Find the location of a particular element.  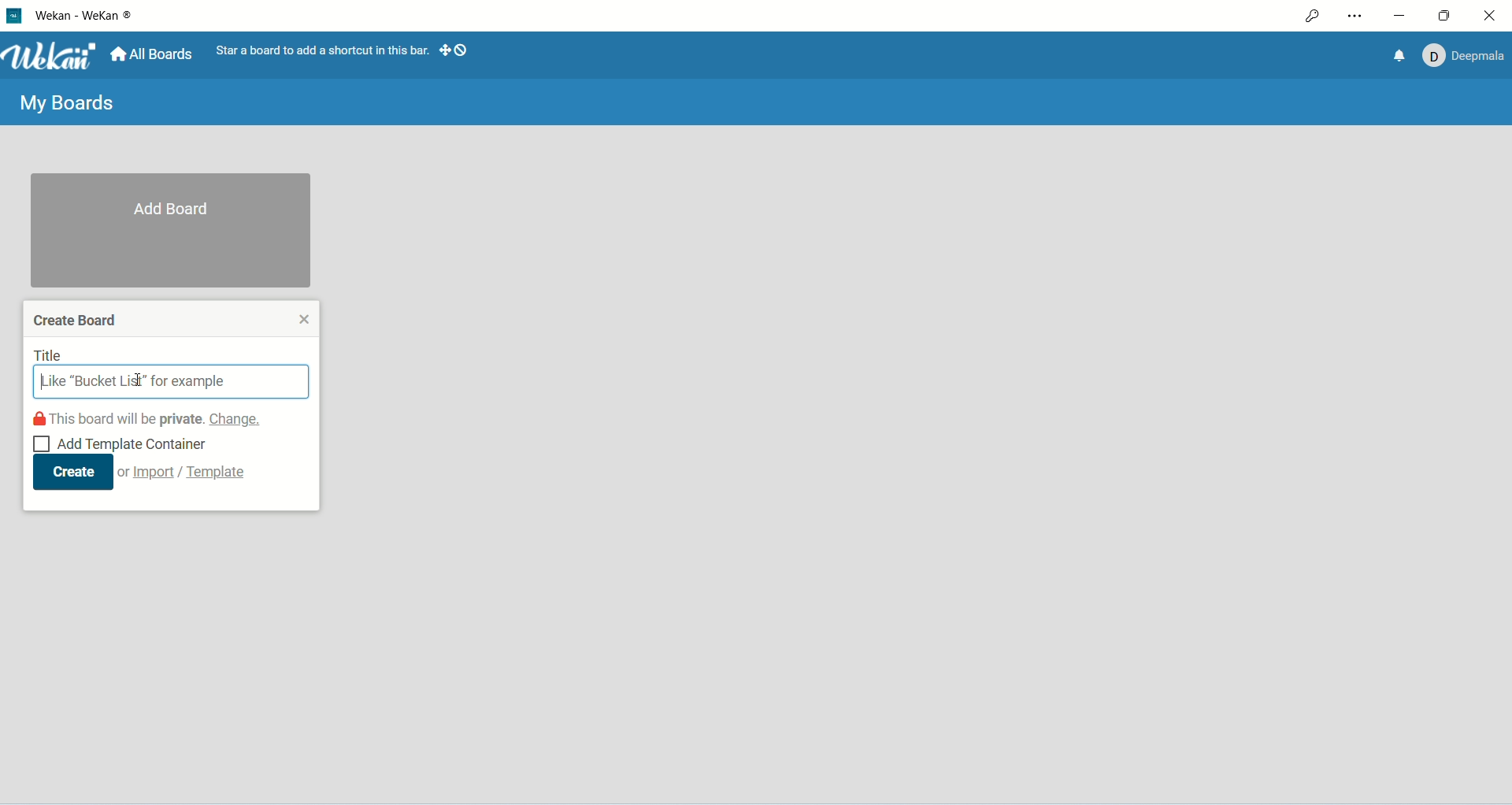

close is located at coordinates (1491, 17).